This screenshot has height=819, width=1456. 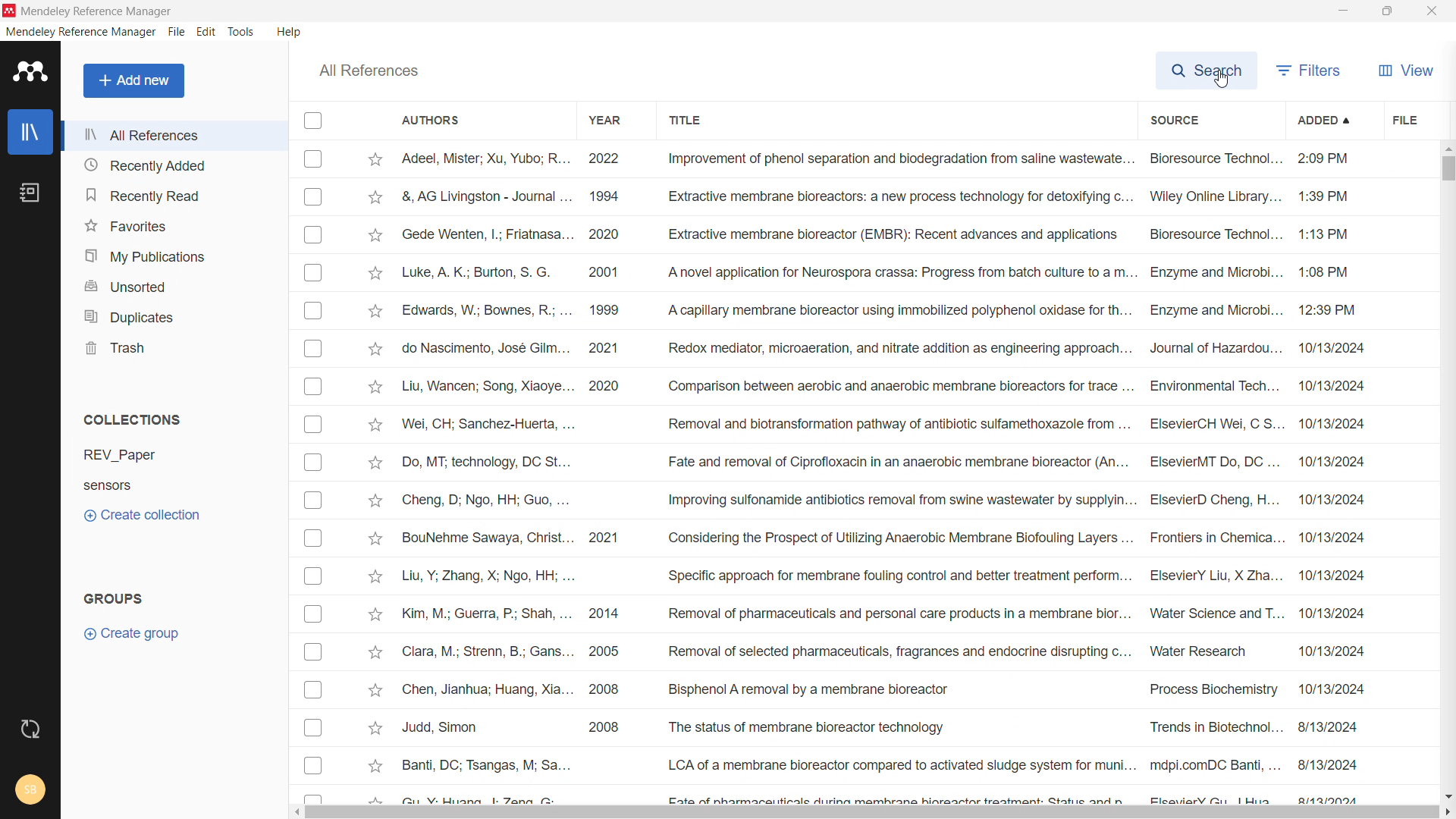 I want to click on Add to favorites, so click(x=375, y=498).